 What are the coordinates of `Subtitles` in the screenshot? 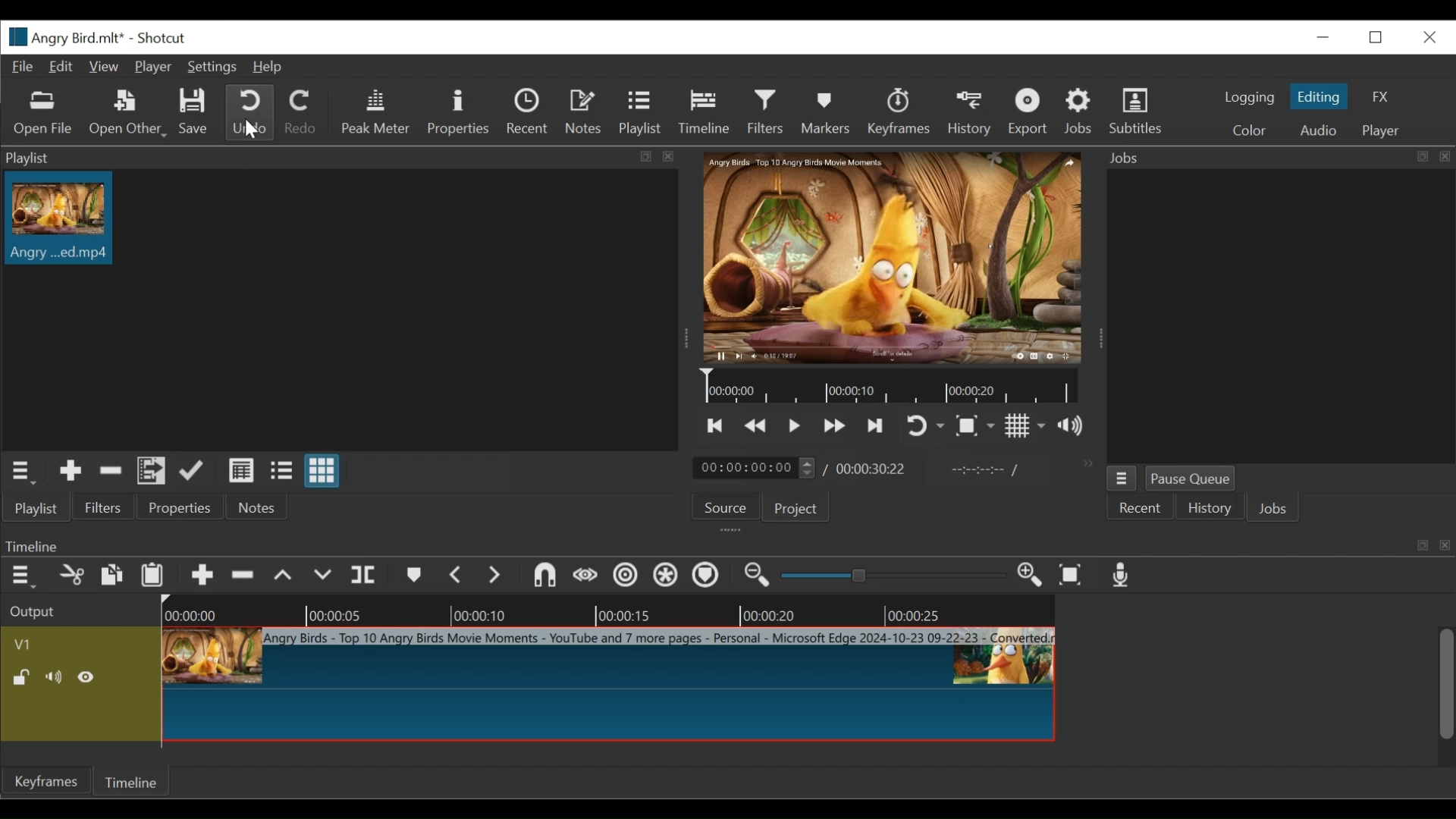 It's located at (1141, 110).